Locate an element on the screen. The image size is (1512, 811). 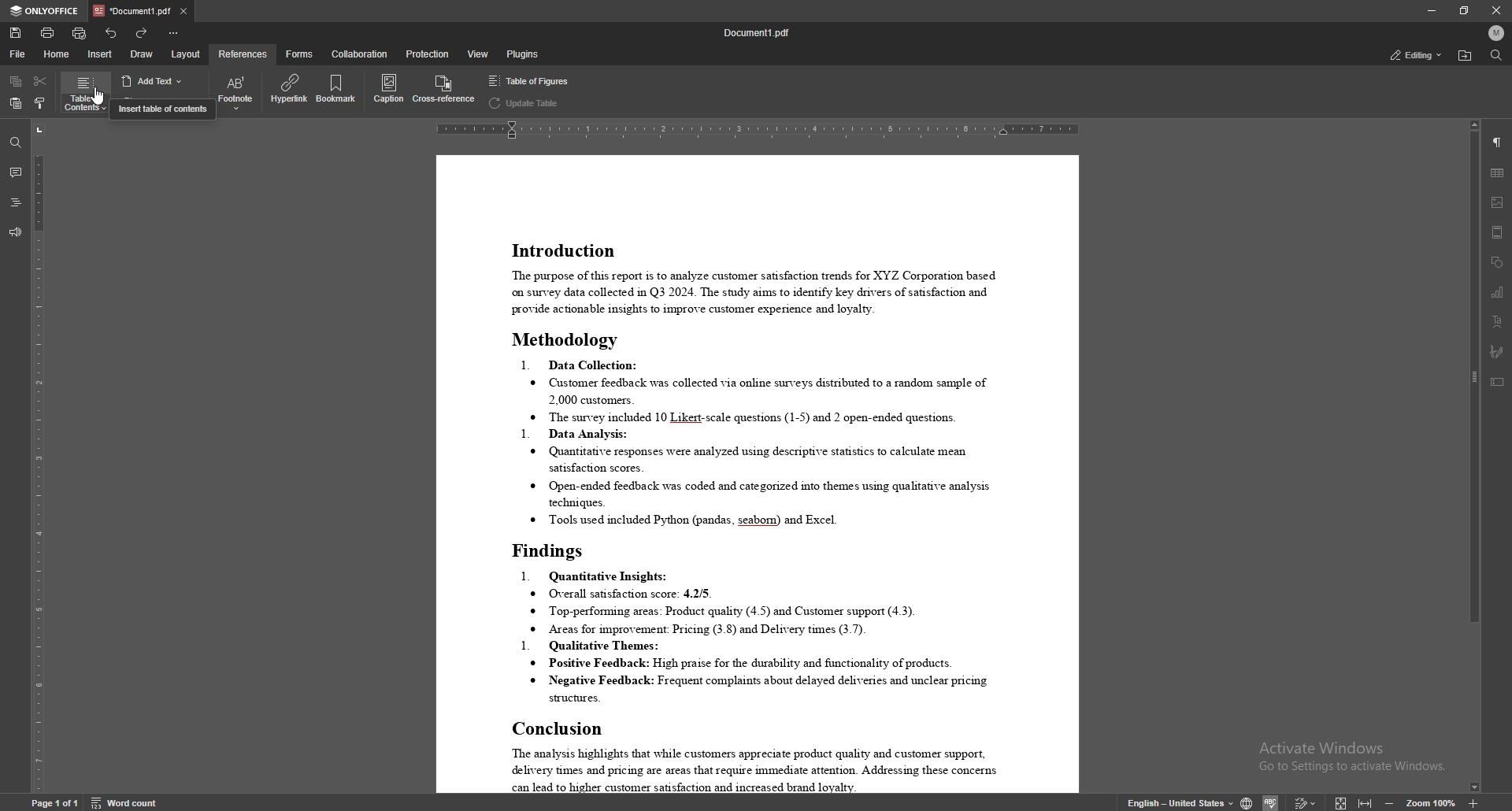
chart is located at coordinates (1499, 291).